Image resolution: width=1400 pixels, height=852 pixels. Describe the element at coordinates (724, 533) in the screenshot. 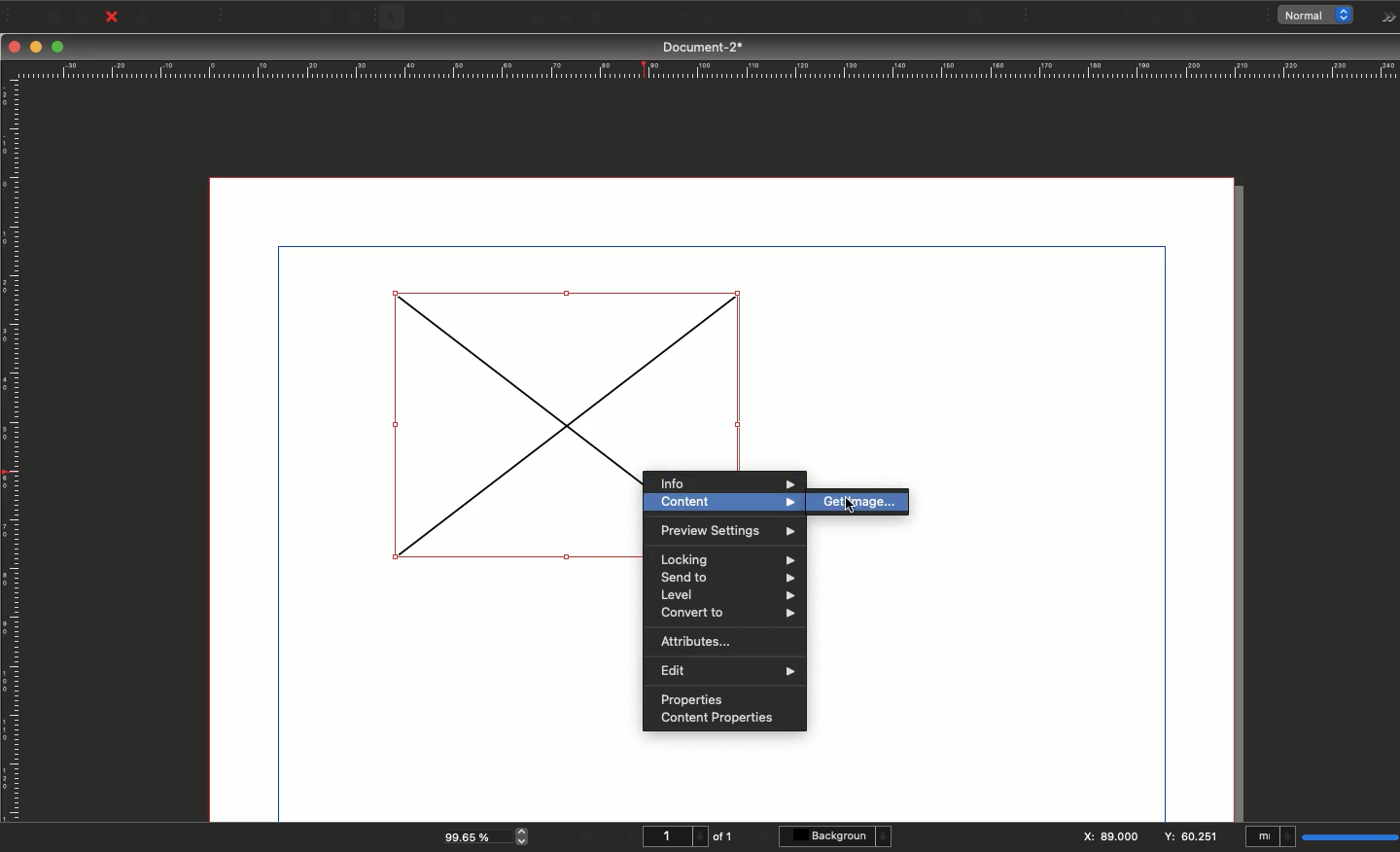

I see `Preview settings` at that location.